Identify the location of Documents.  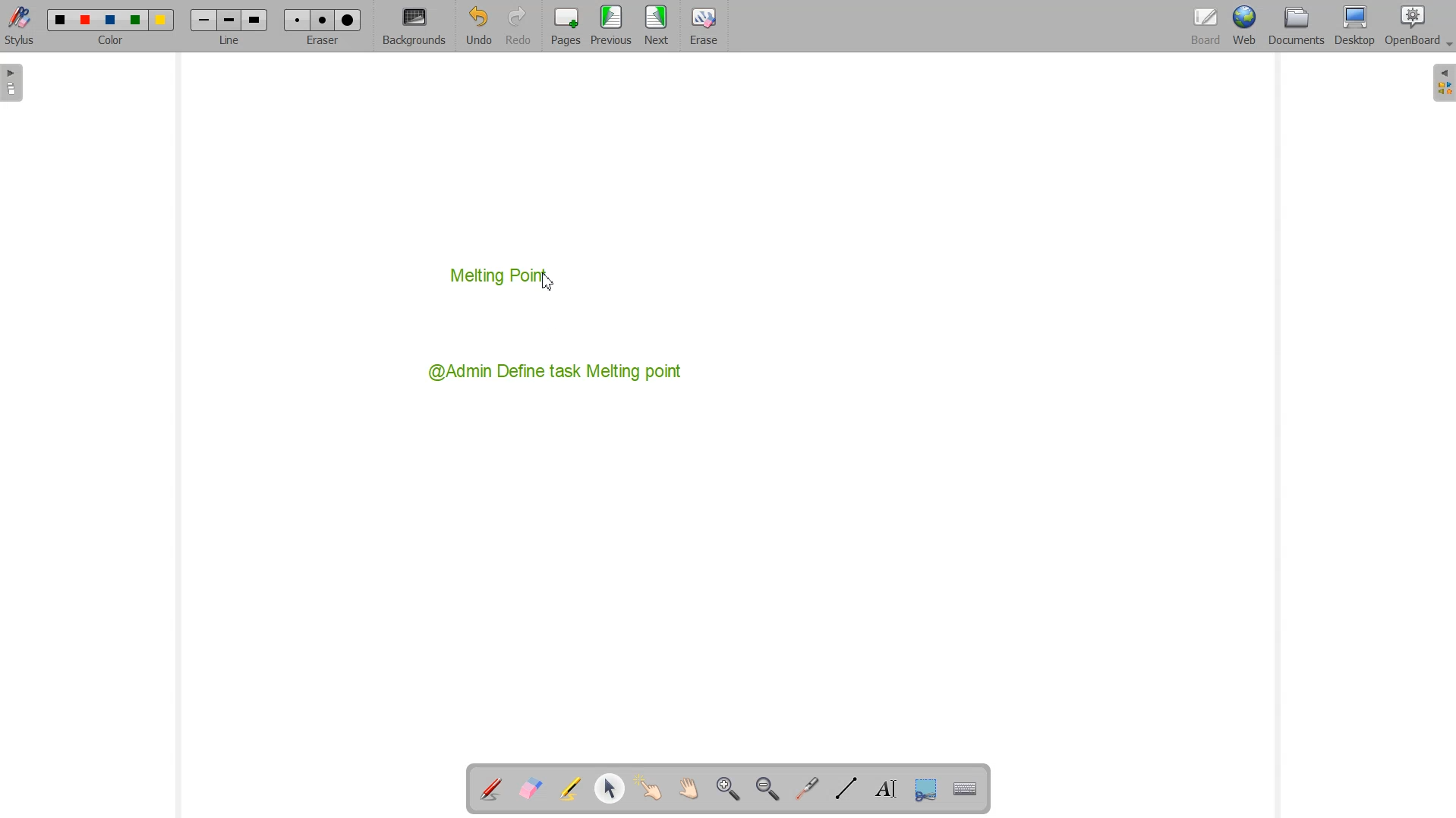
(1296, 27).